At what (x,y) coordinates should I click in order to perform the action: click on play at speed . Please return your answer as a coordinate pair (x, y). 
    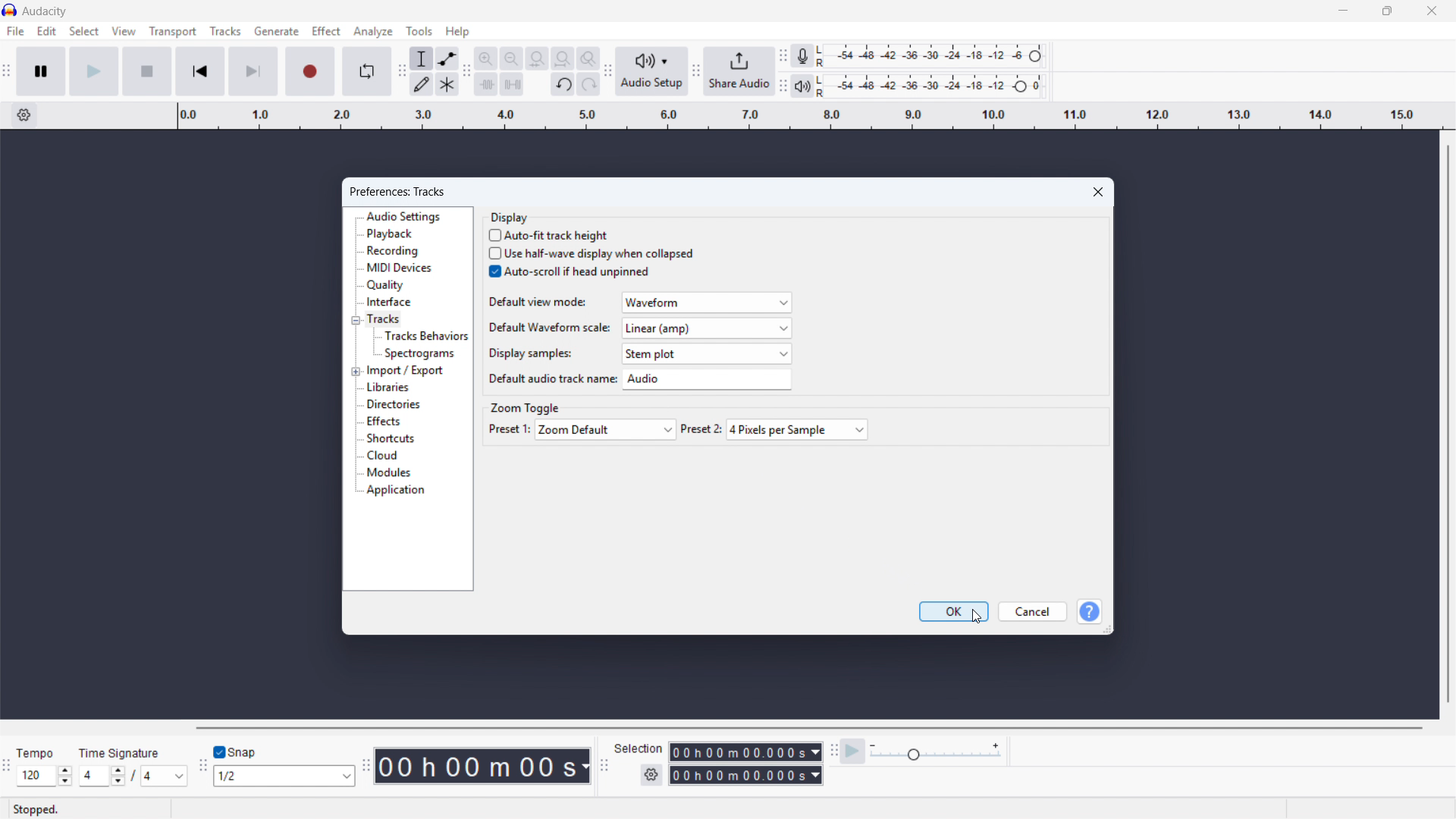
    Looking at the image, I should click on (852, 752).